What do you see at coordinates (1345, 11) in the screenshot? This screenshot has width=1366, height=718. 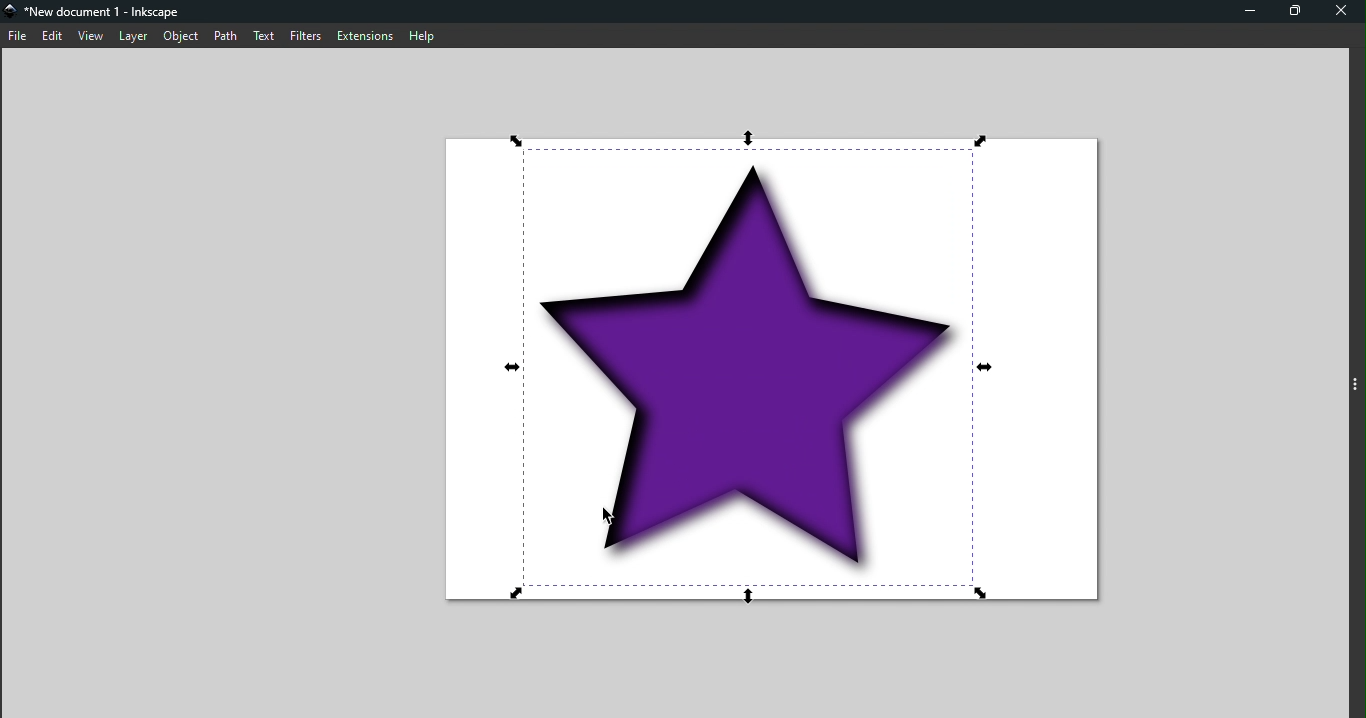 I see `Close` at bounding box center [1345, 11].